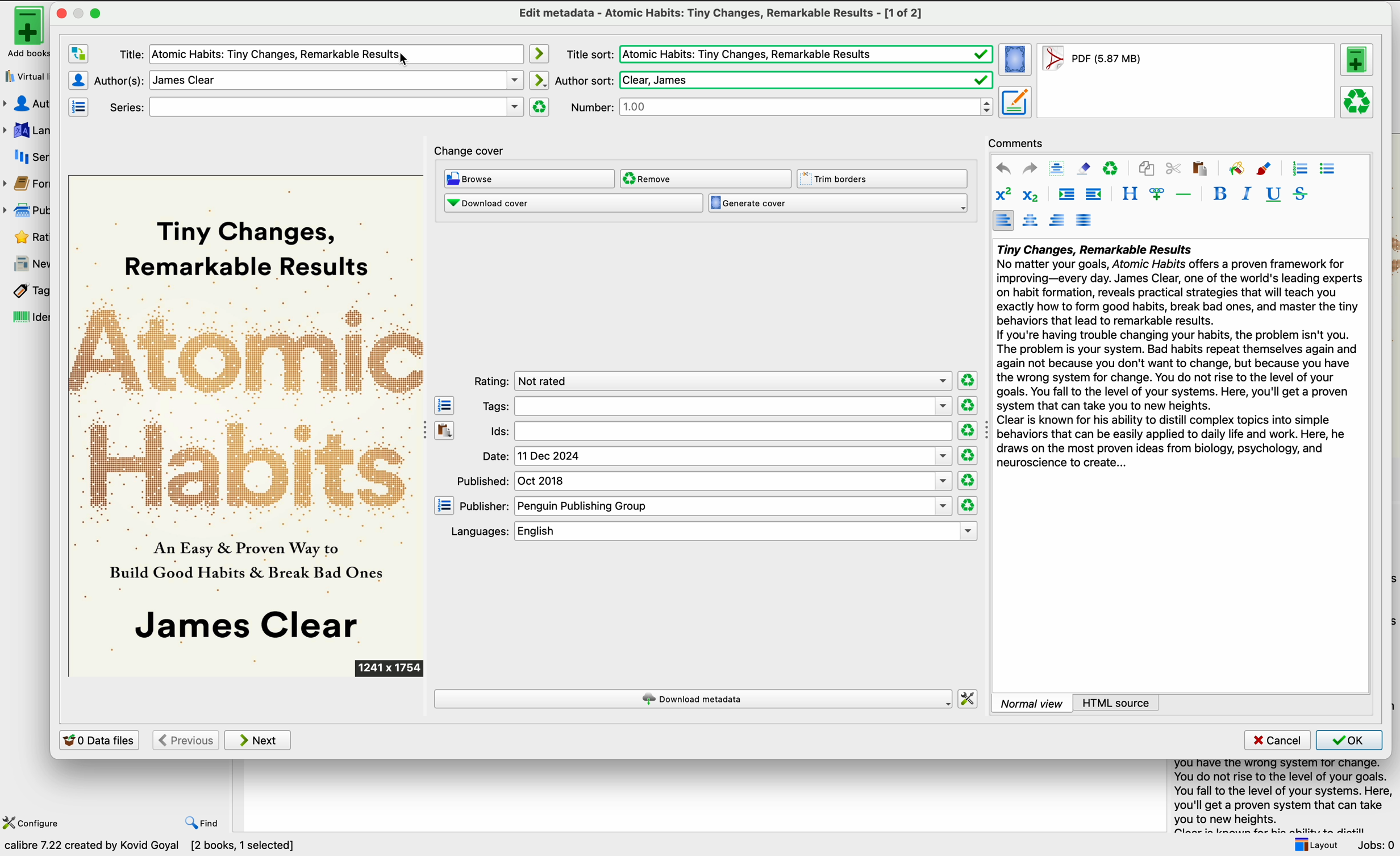  I want to click on paste the contents of the clipboard, so click(445, 429).